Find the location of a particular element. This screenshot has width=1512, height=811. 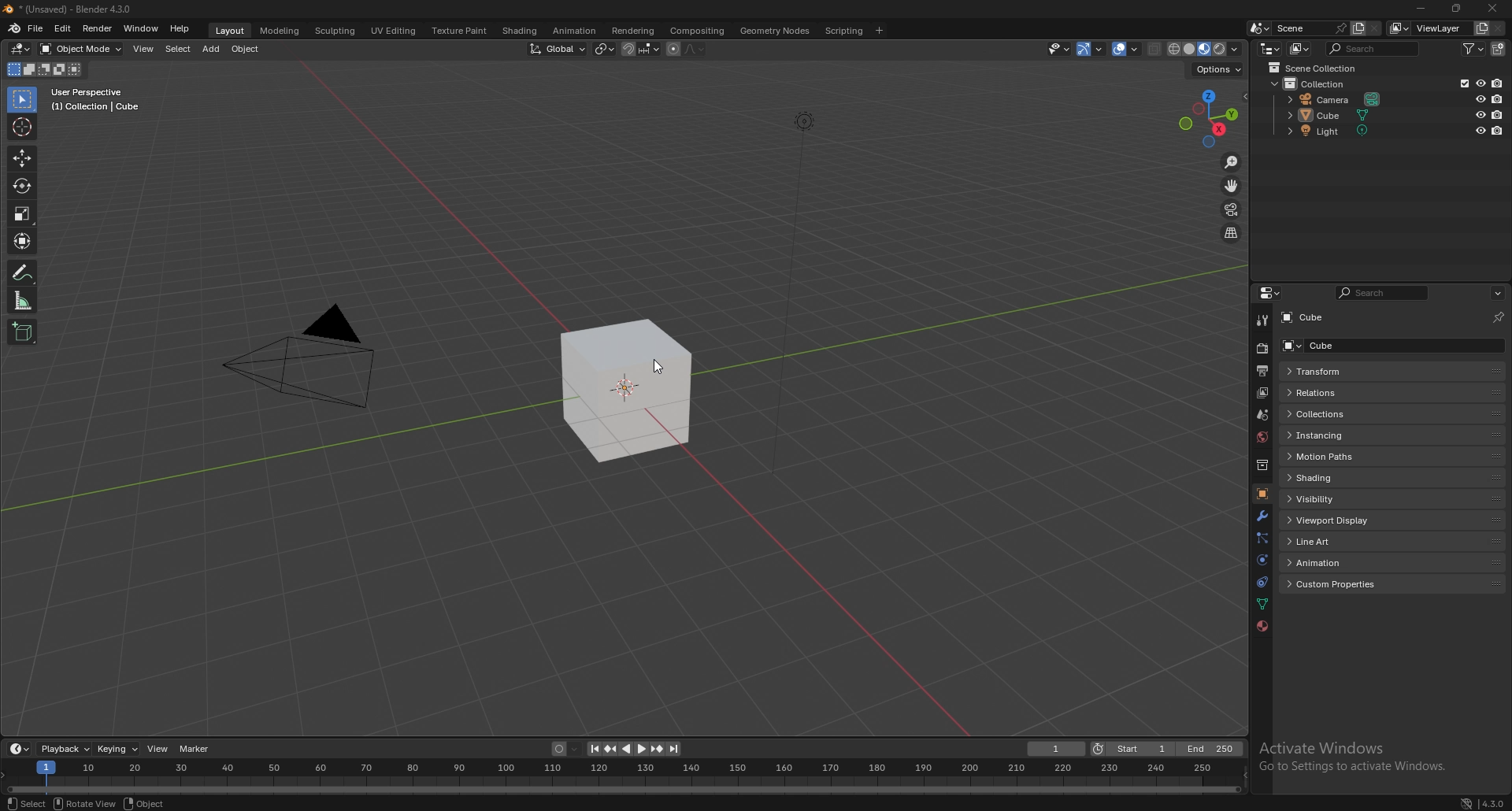

hide in viewport is located at coordinates (1480, 114).